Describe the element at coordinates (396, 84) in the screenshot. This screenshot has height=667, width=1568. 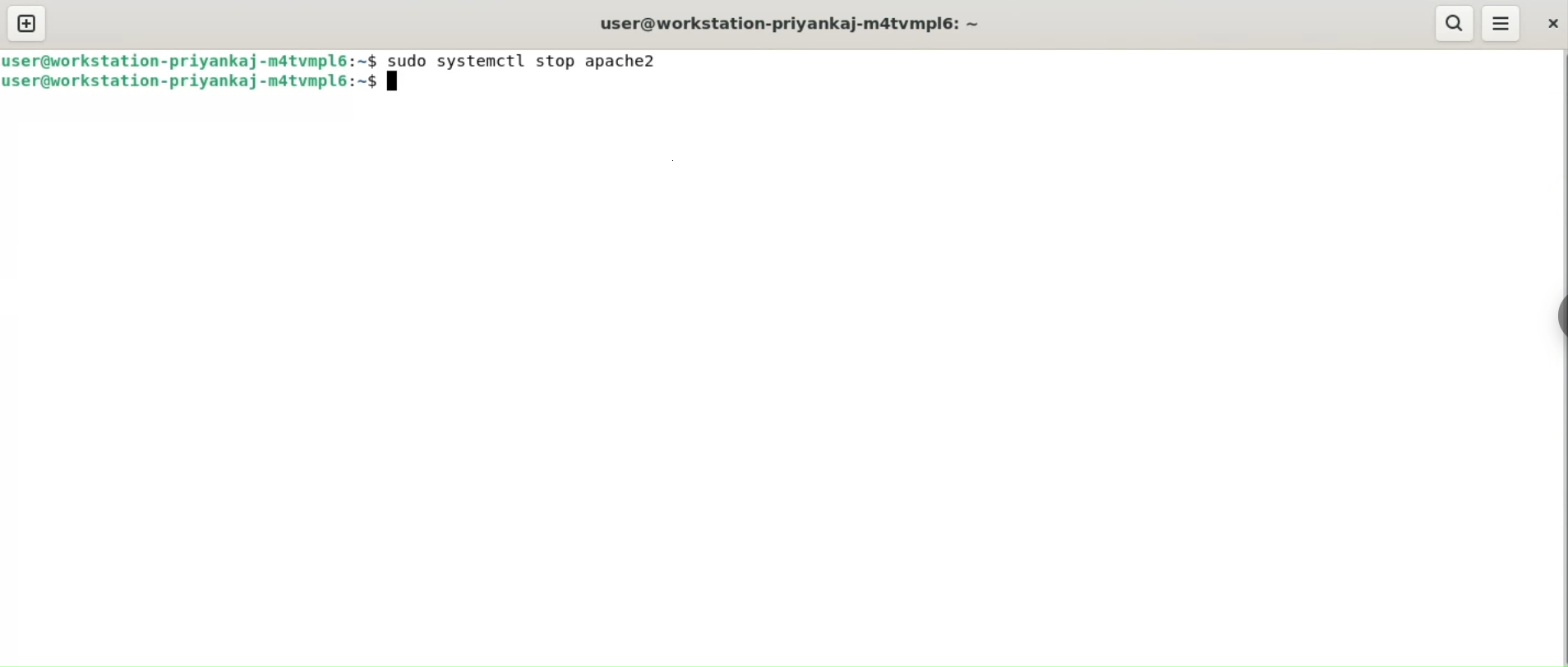
I see `Terminal cursor` at that location.